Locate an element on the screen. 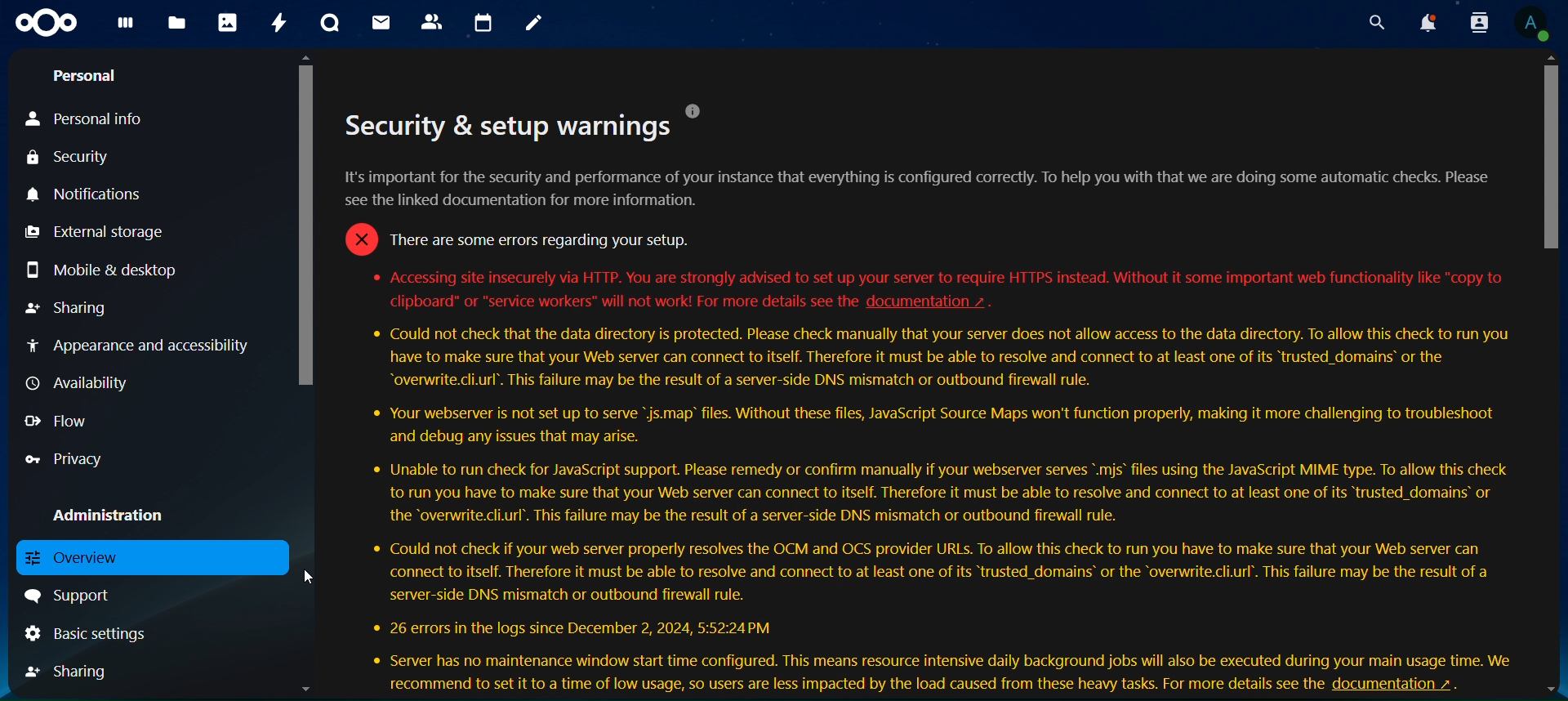 The height and width of the screenshot is (701, 1568). availiabilty is located at coordinates (82, 383).